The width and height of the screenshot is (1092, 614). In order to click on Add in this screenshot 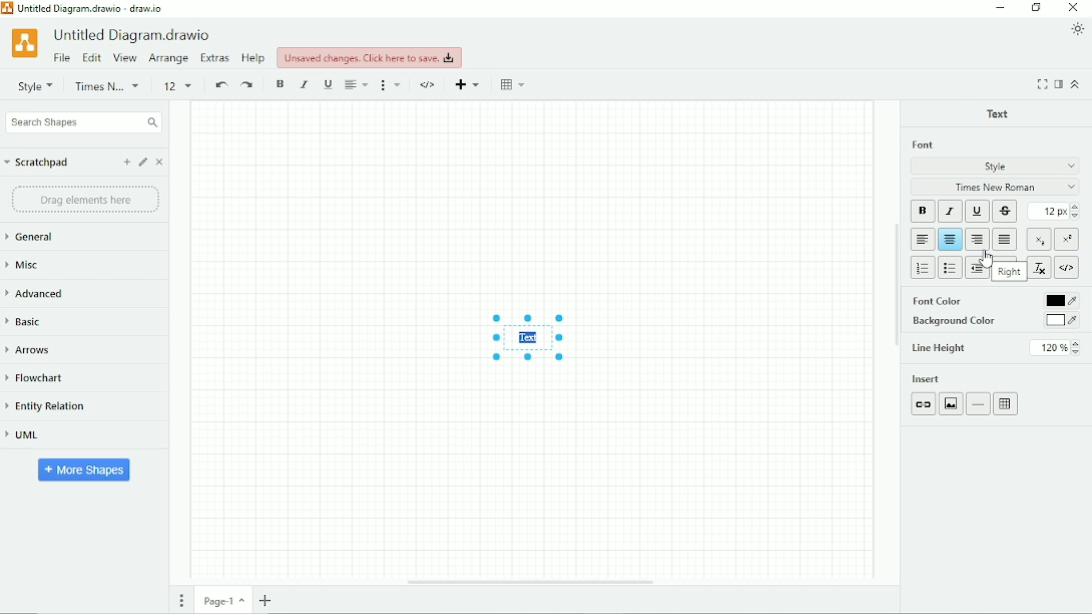, I will do `click(127, 162)`.